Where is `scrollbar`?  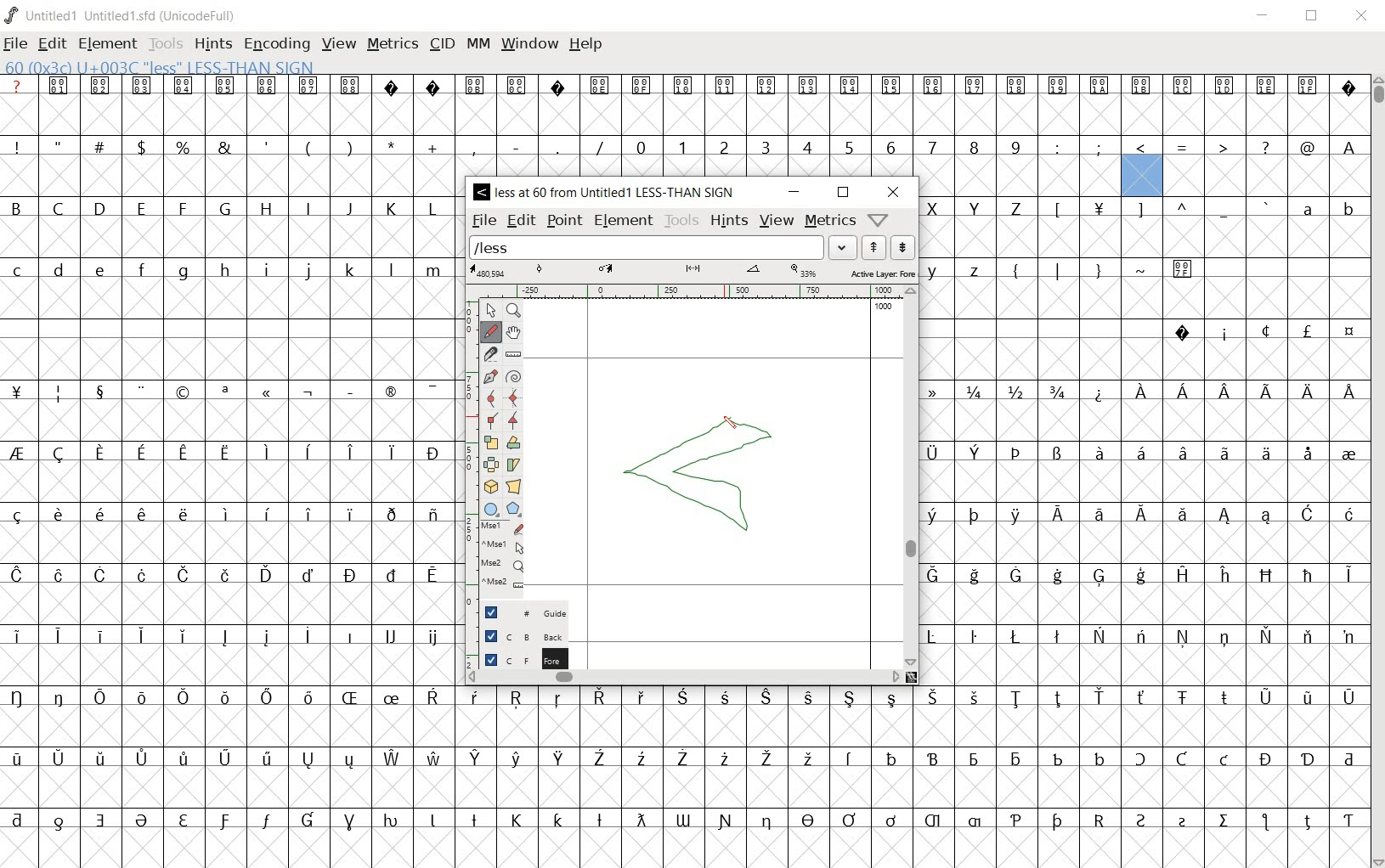
scrollbar is located at coordinates (1377, 470).